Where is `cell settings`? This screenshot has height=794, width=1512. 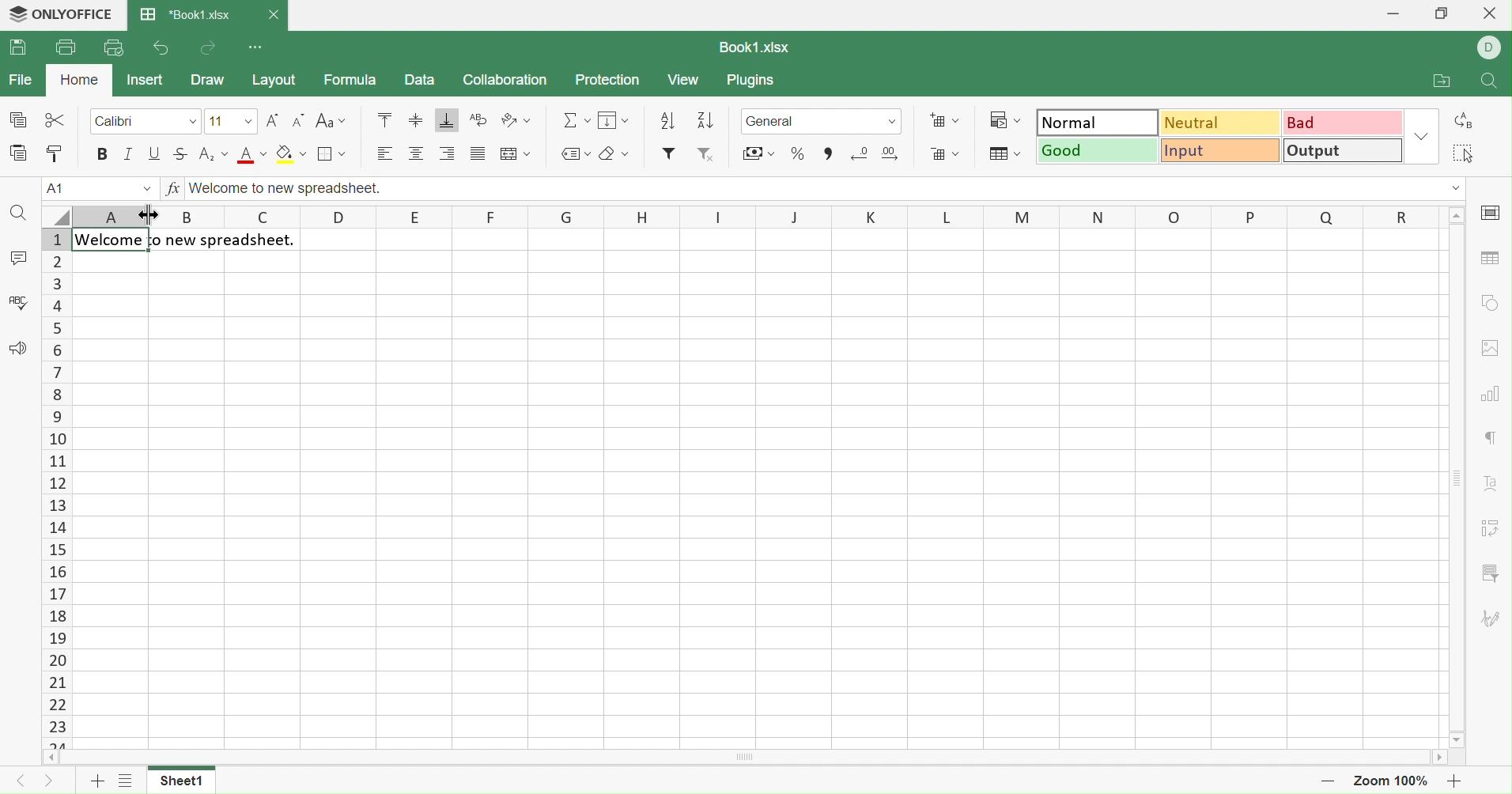 cell settings is located at coordinates (1495, 214).